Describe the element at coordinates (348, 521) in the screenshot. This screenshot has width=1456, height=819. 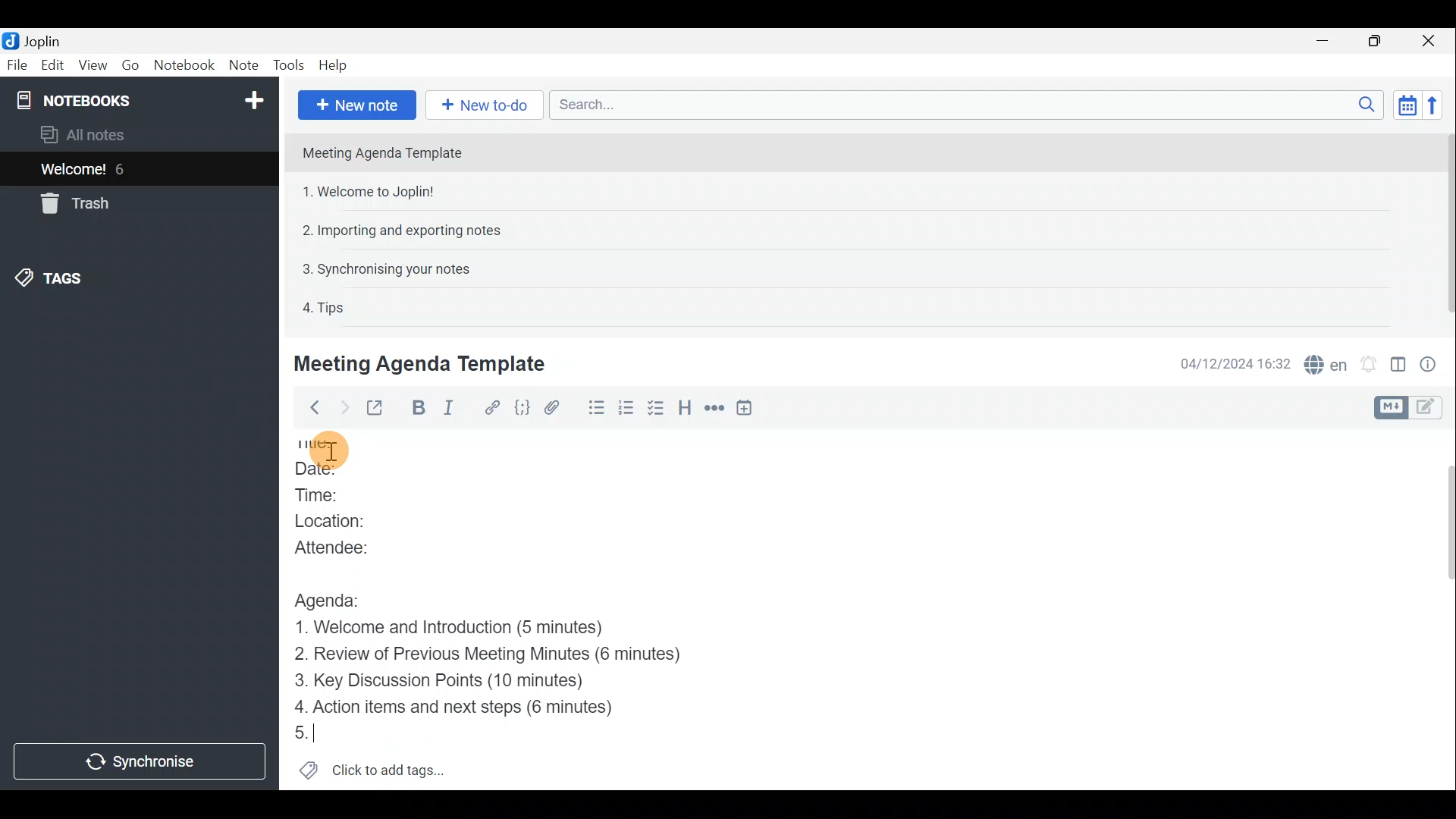
I see `Location:` at that location.